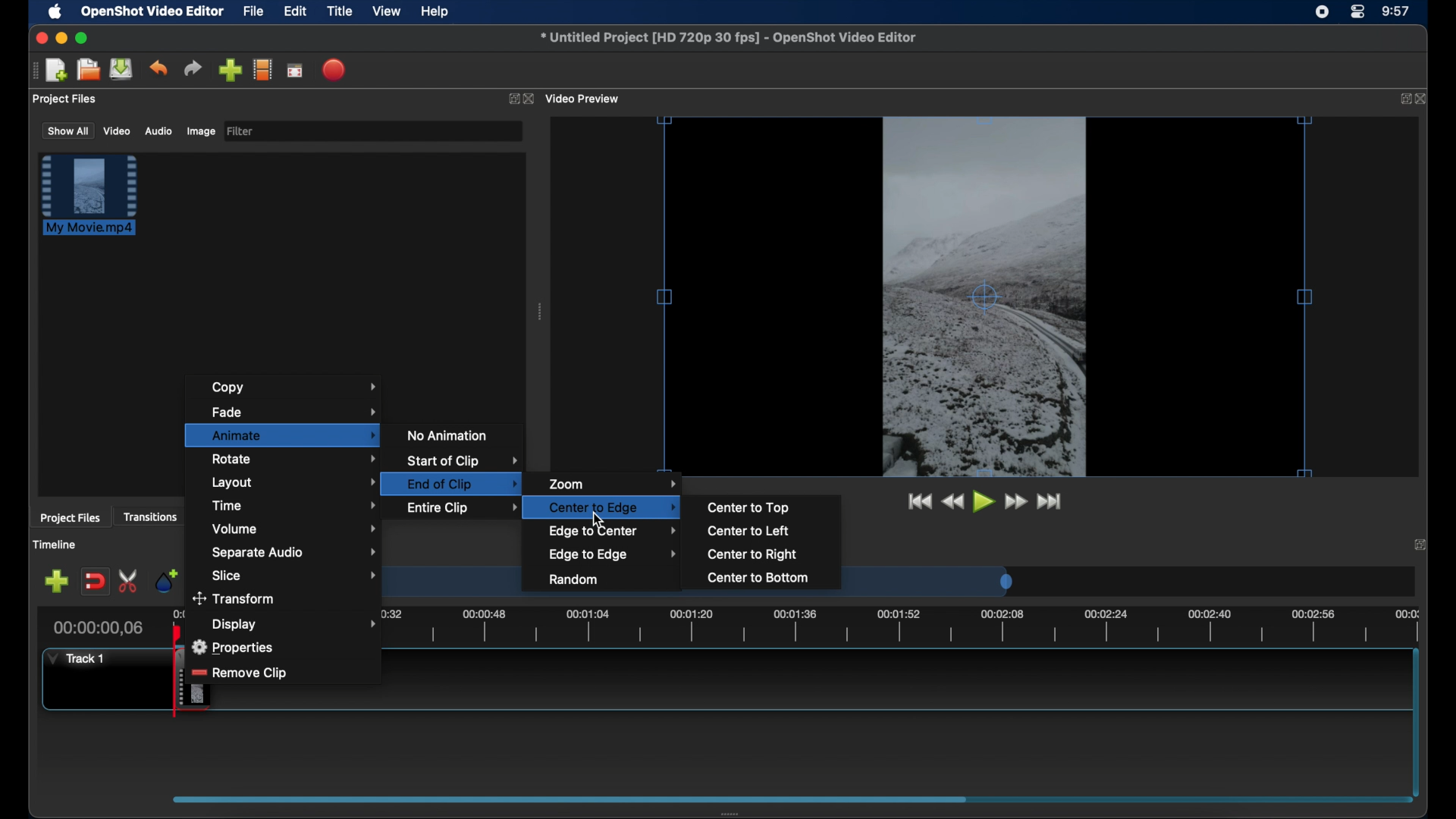 This screenshot has width=1456, height=819. What do you see at coordinates (1050, 501) in the screenshot?
I see `jumpt to  end` at bounding box center [1050, 501].